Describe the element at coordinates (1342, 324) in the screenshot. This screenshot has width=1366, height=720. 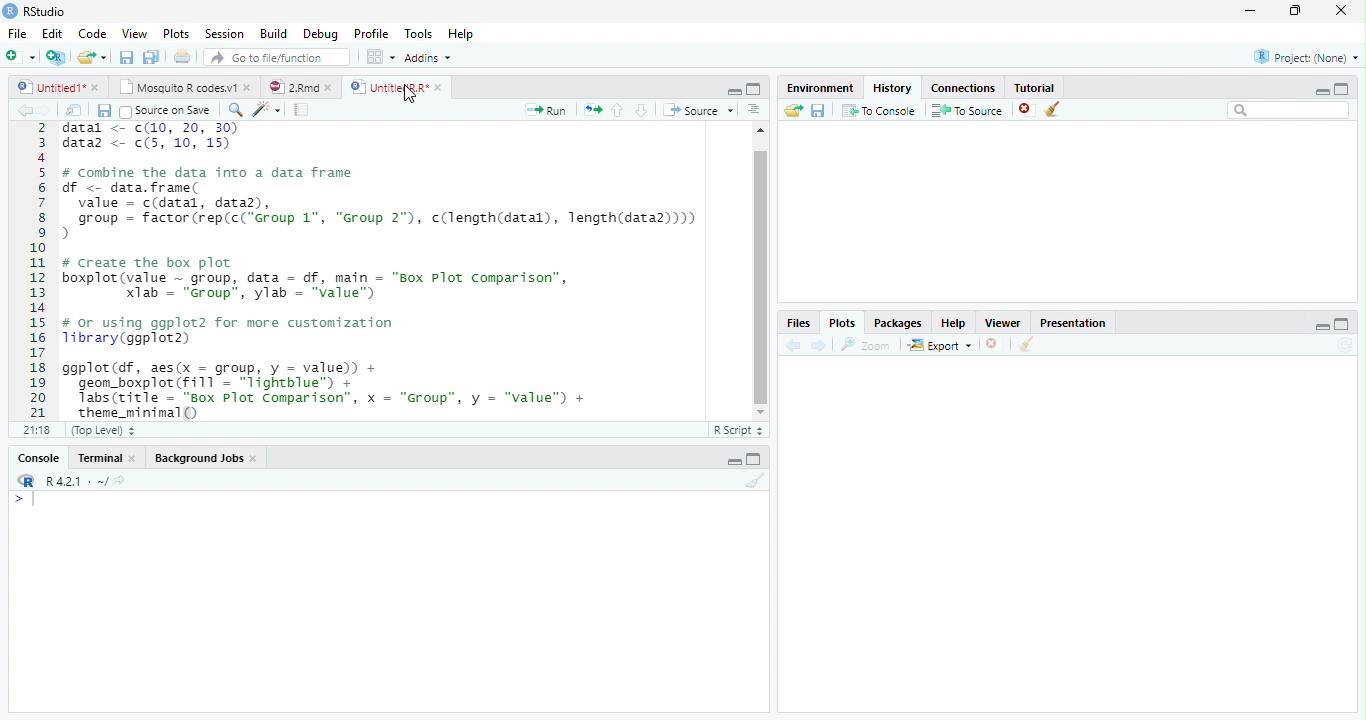
I see `Maximize` at that location.